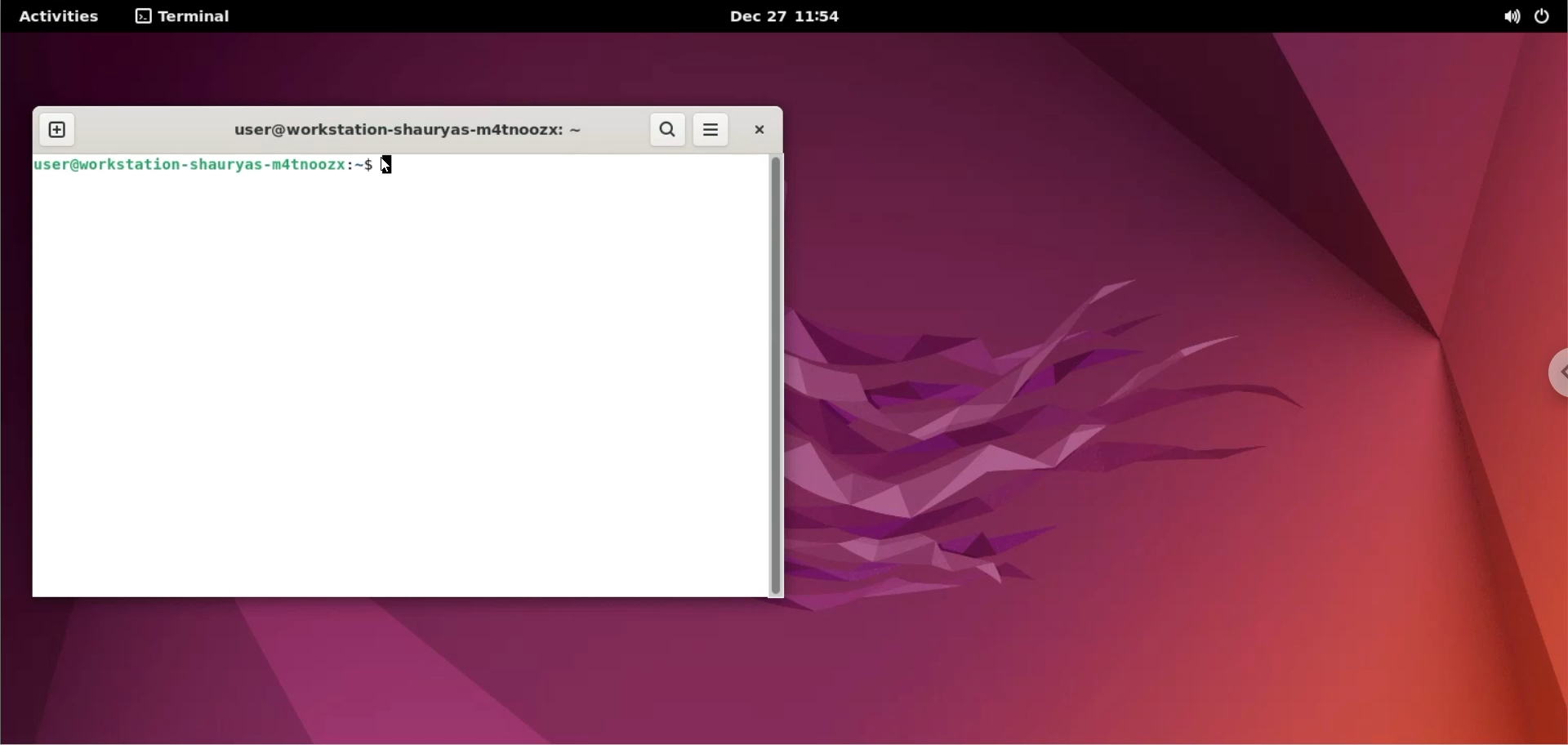 Image resolution: width=1568 pixels, height=745 pixels. I want to click on scroll bar, so click(777, 377).